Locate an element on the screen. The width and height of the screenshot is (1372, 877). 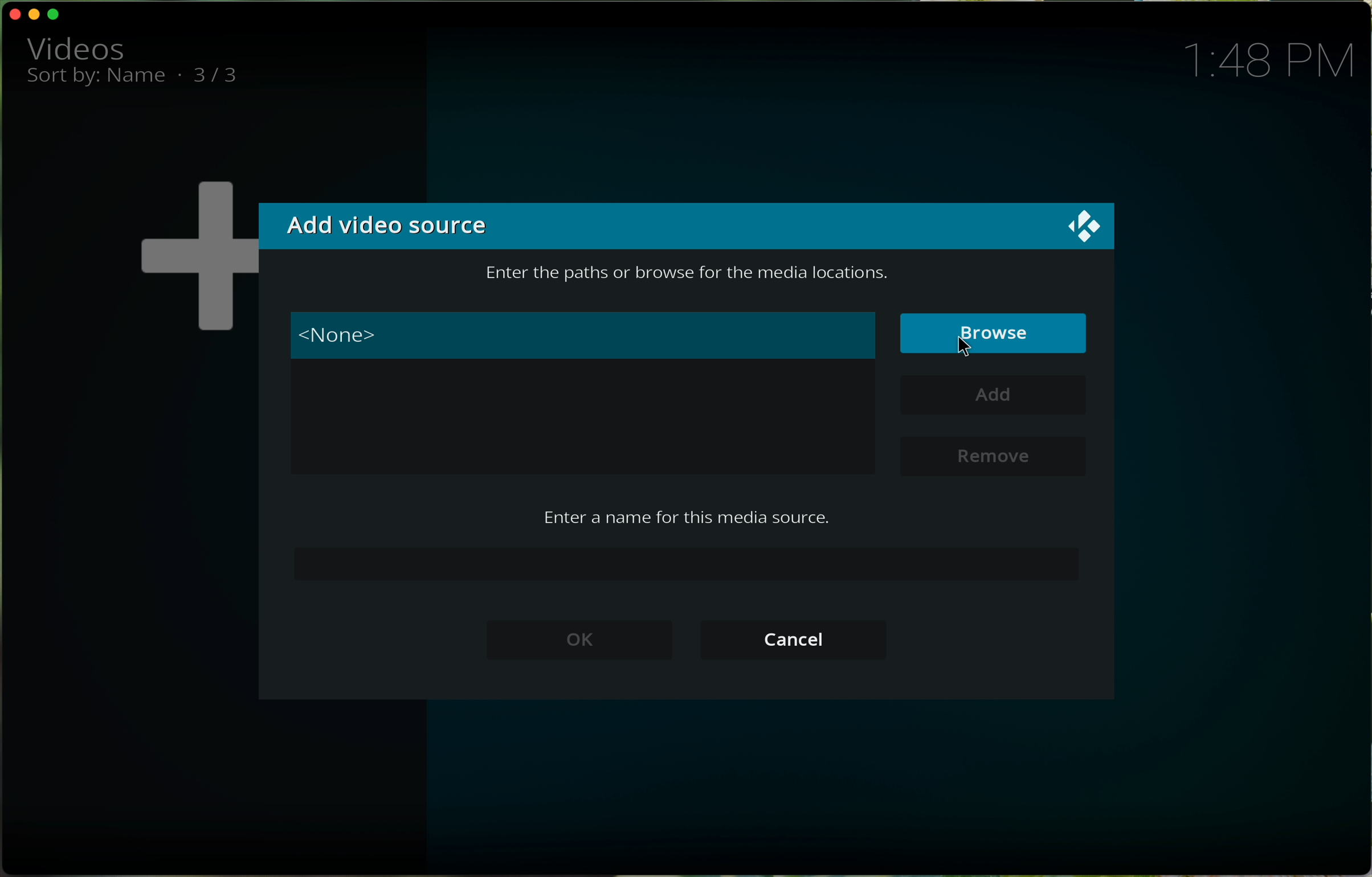
1:48 PM is located at coordinates (1277, 59).